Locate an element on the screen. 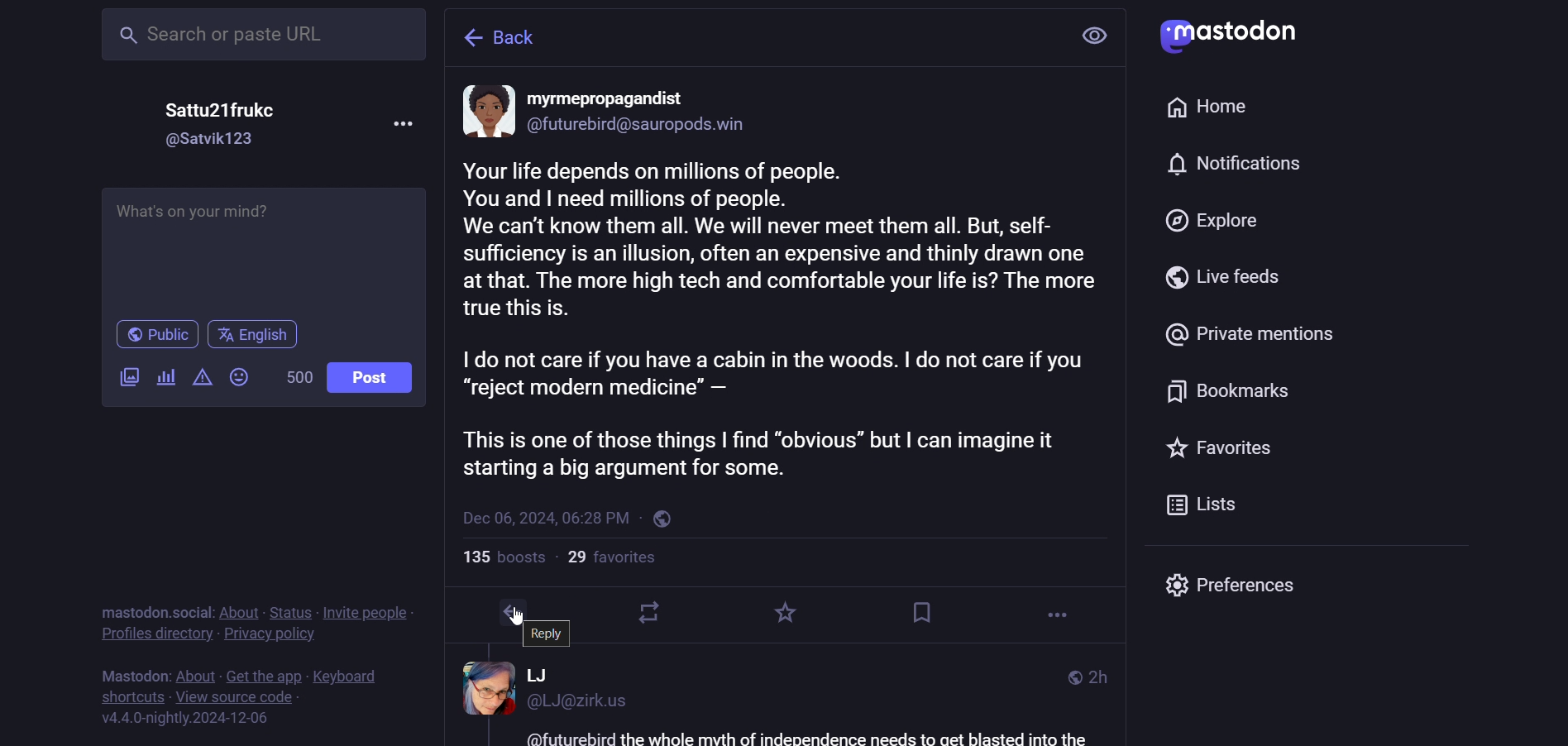  text is located at coordinates (804, 738).